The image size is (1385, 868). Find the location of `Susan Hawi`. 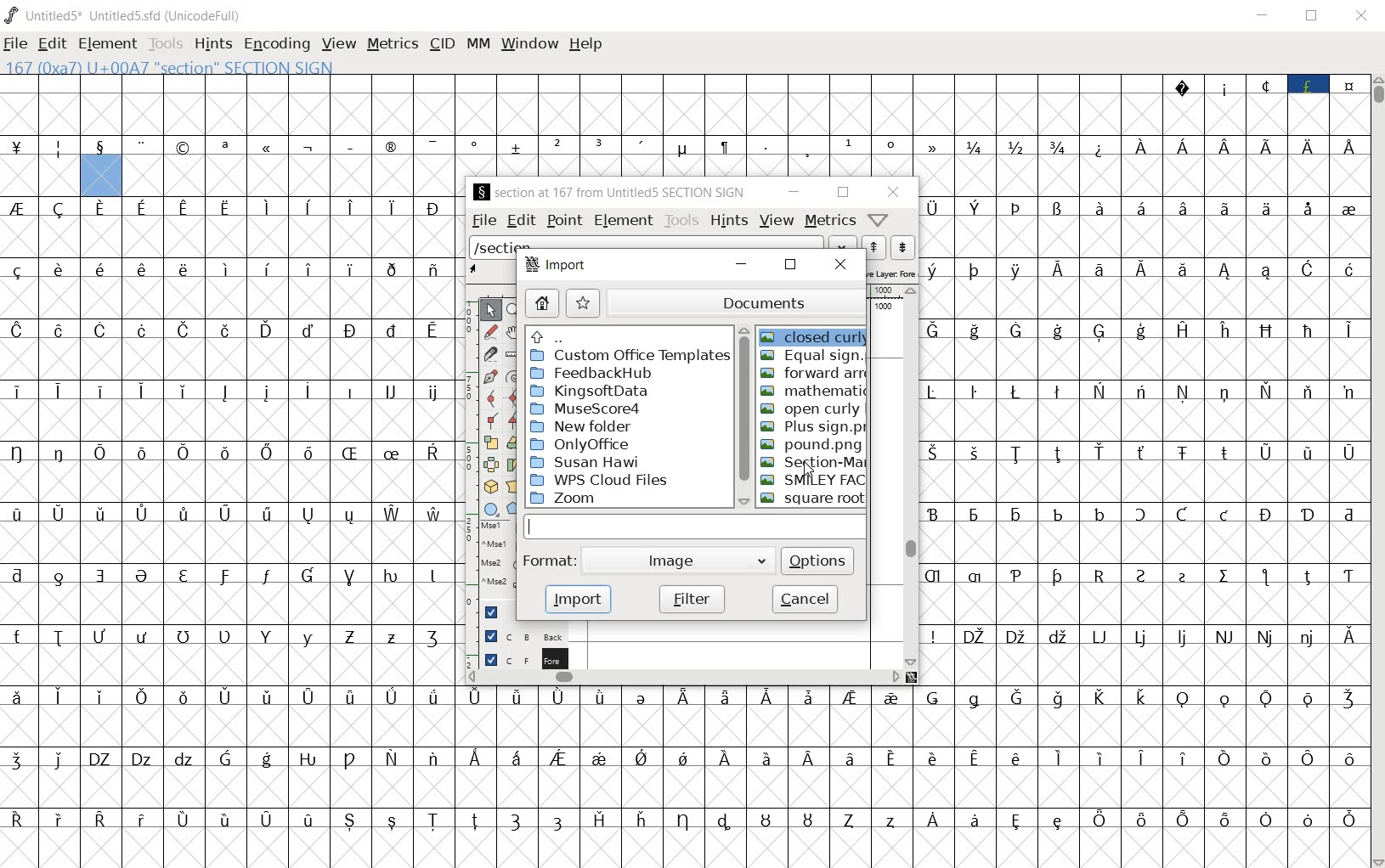

Susan Hawi is located at coordinates (587, 462).